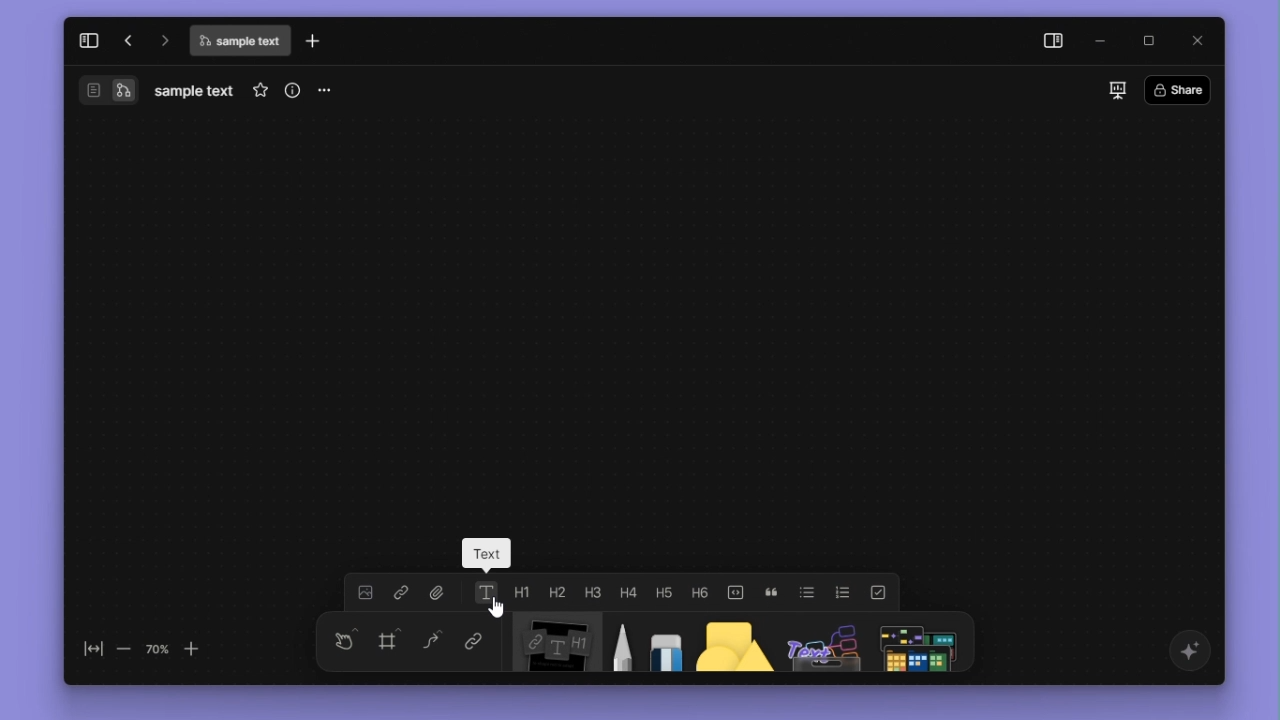 Image resolution: width=1280 pixels, height=720 pixels. What do you see at coordinates (1151, 39) in the screenshot?
I see `maximize` at bounding box center [1151, 39].